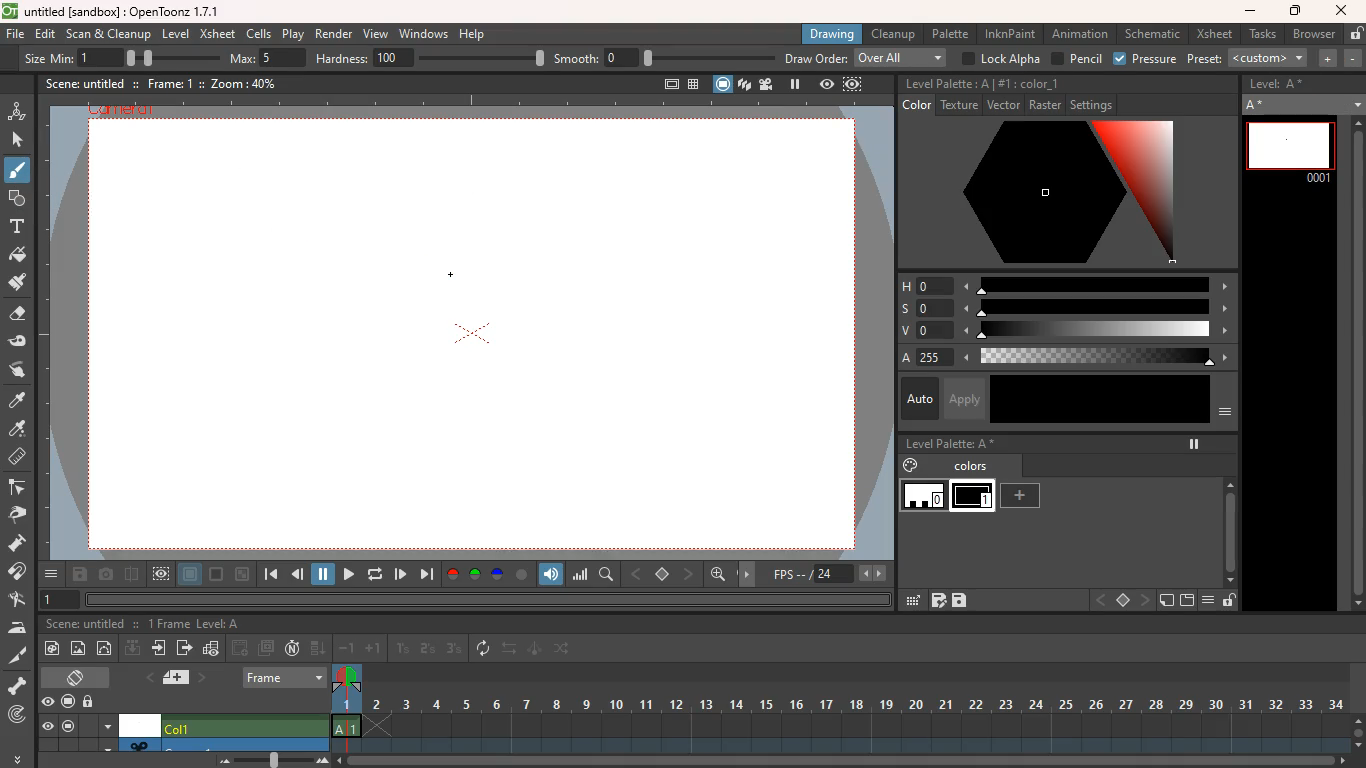 The height and width of the screenshot is (768, 1366). I want to click on 3, so click(454, 650).